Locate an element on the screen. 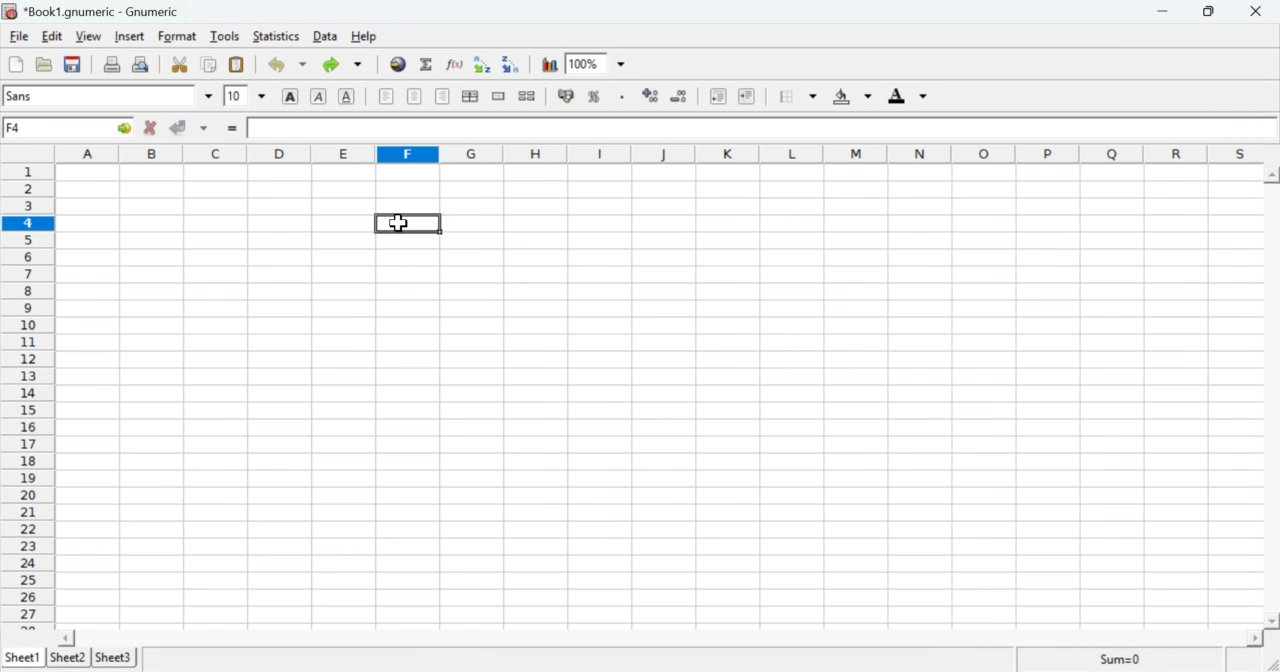  File is located at coordinates (21, 36).